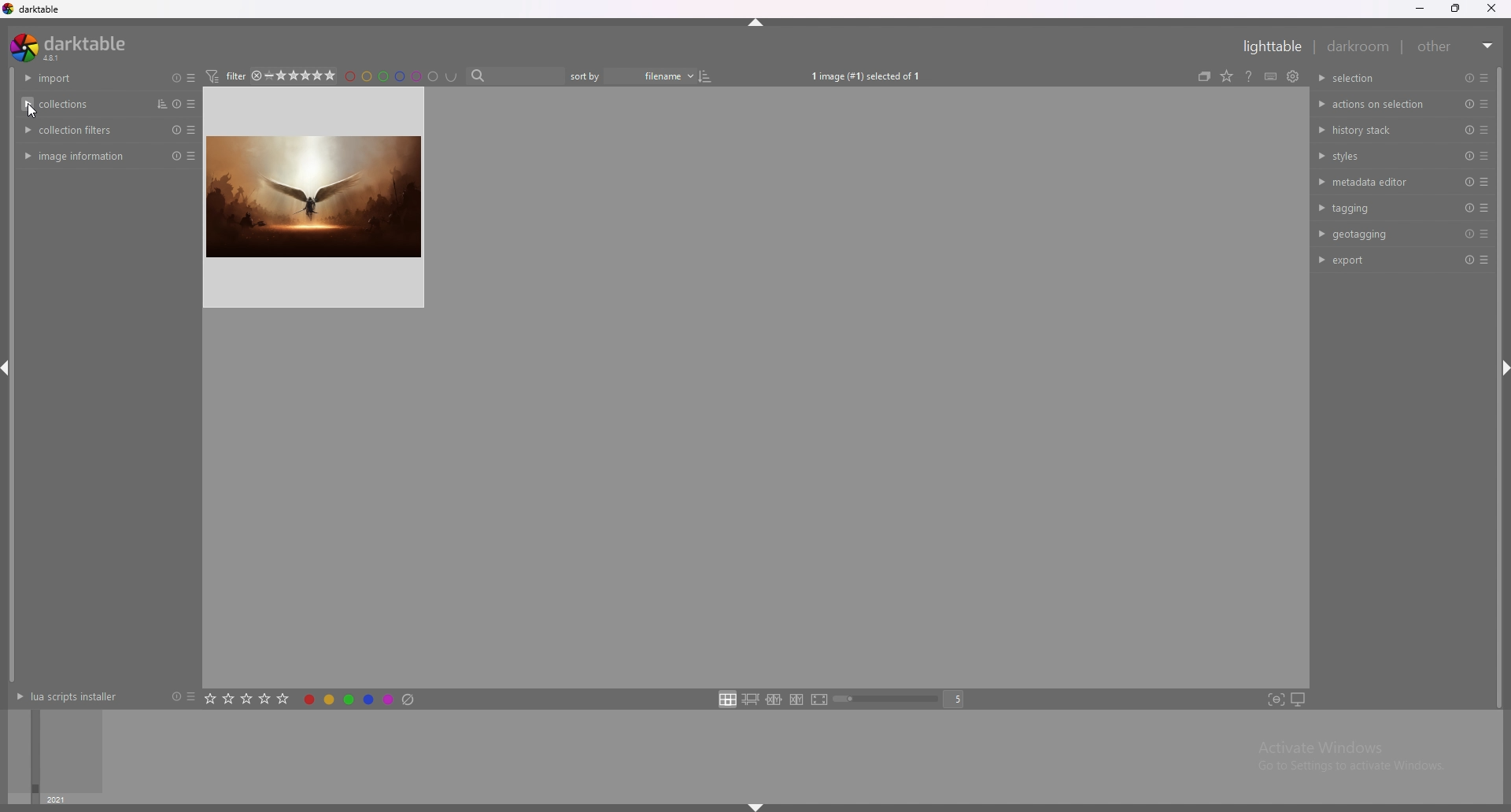  Describe the element at coordinates (1246, 75) in the screenshot. I see `change type of overlays` at that location.